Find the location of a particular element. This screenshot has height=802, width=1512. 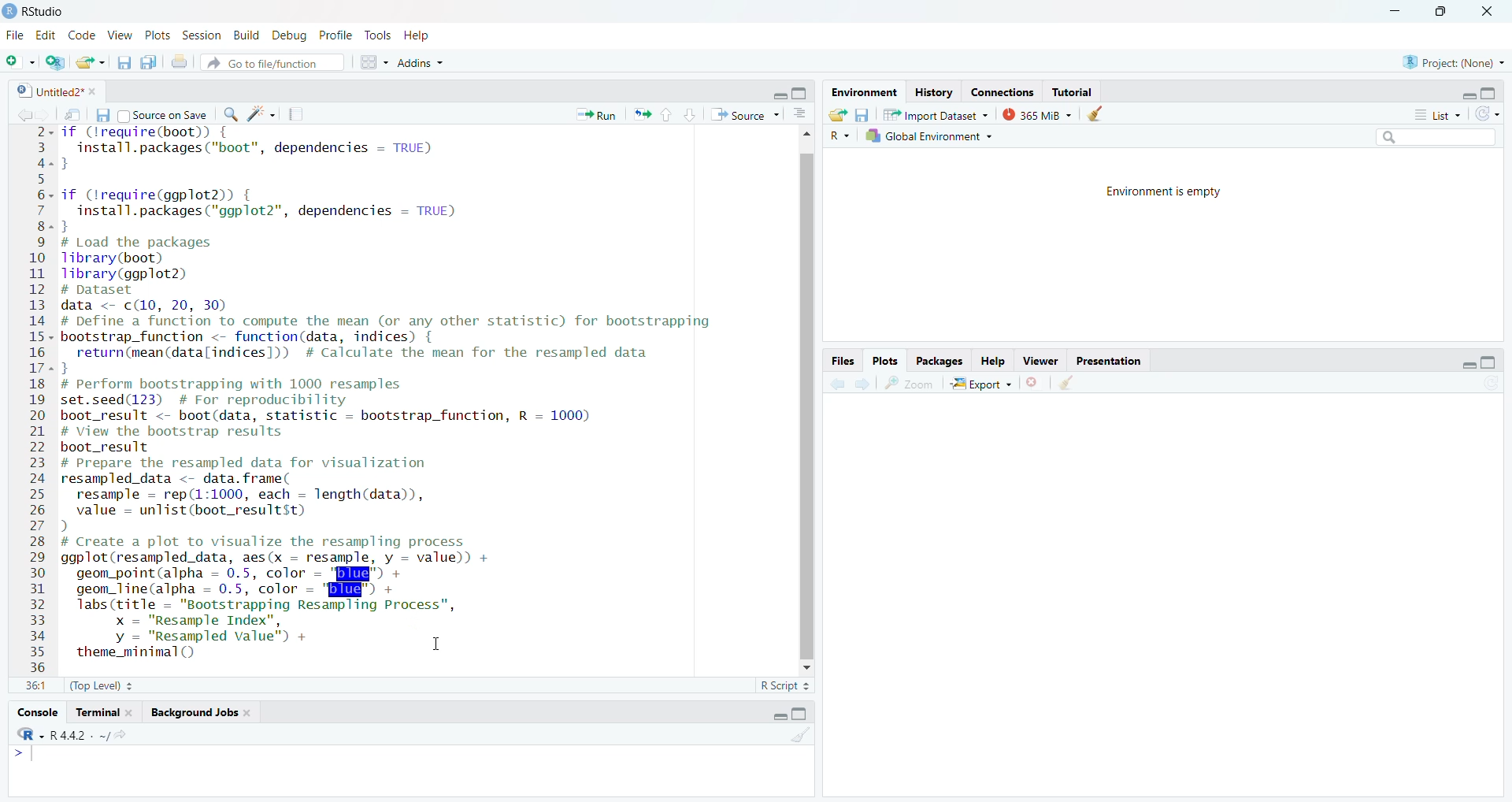

 Export ~ is located at coordinates (982, 384).